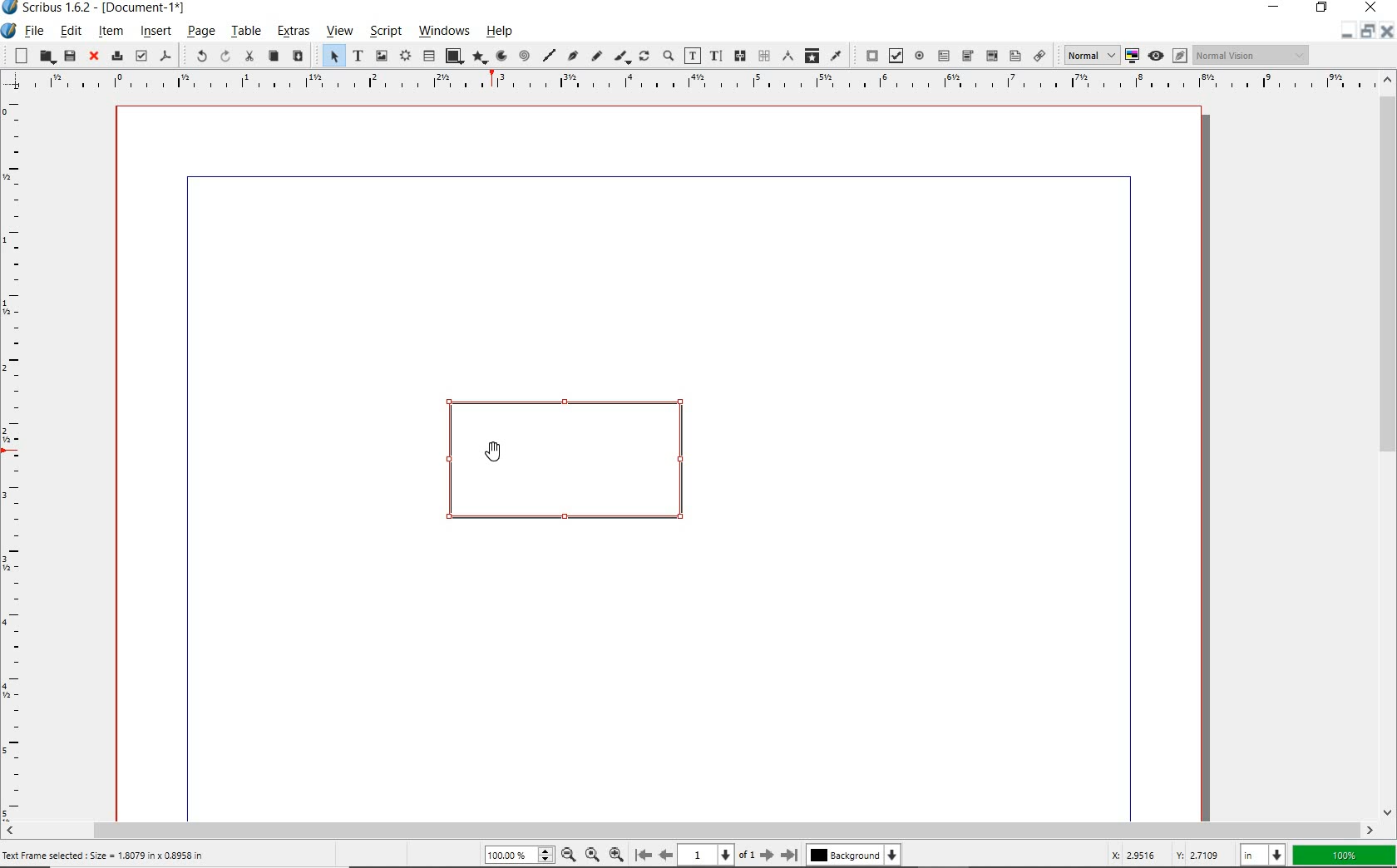 The image size is (1397, 868). I want to click on shape, so click(453, 55).